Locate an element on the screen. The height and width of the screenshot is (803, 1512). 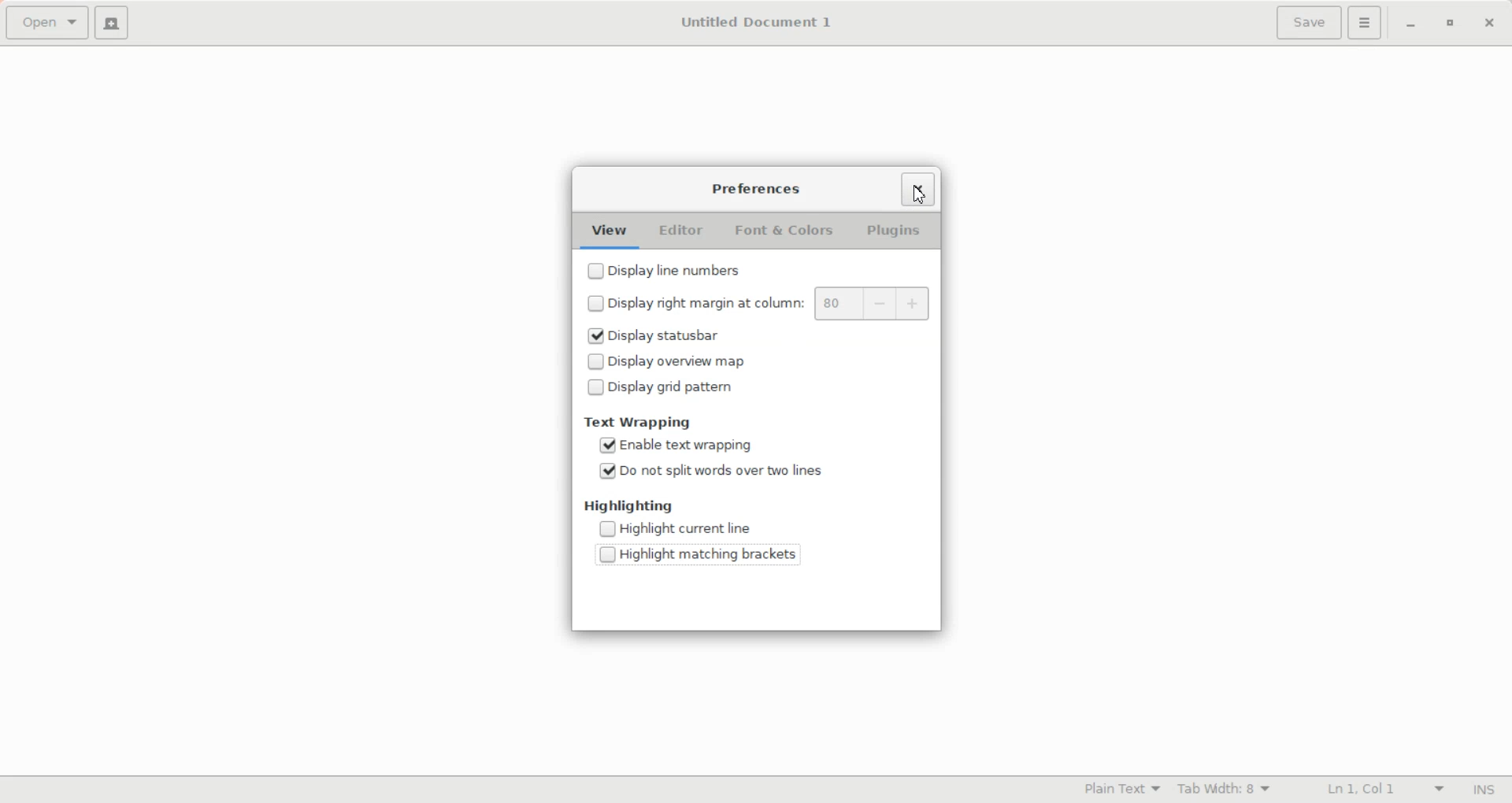
Untitled Document 1 is located at coordinates (756, 22).